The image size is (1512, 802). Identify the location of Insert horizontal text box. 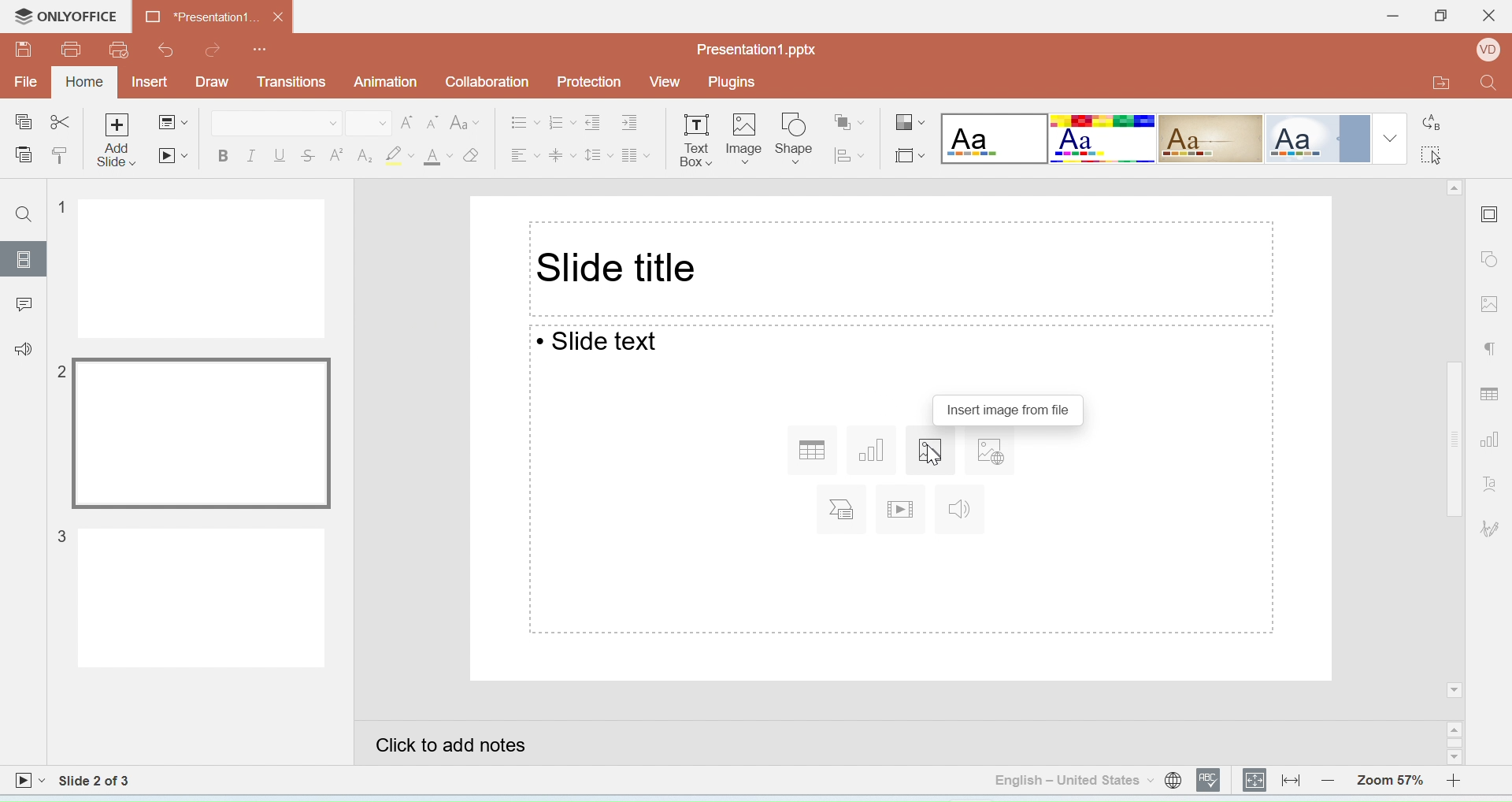
(695, 139).